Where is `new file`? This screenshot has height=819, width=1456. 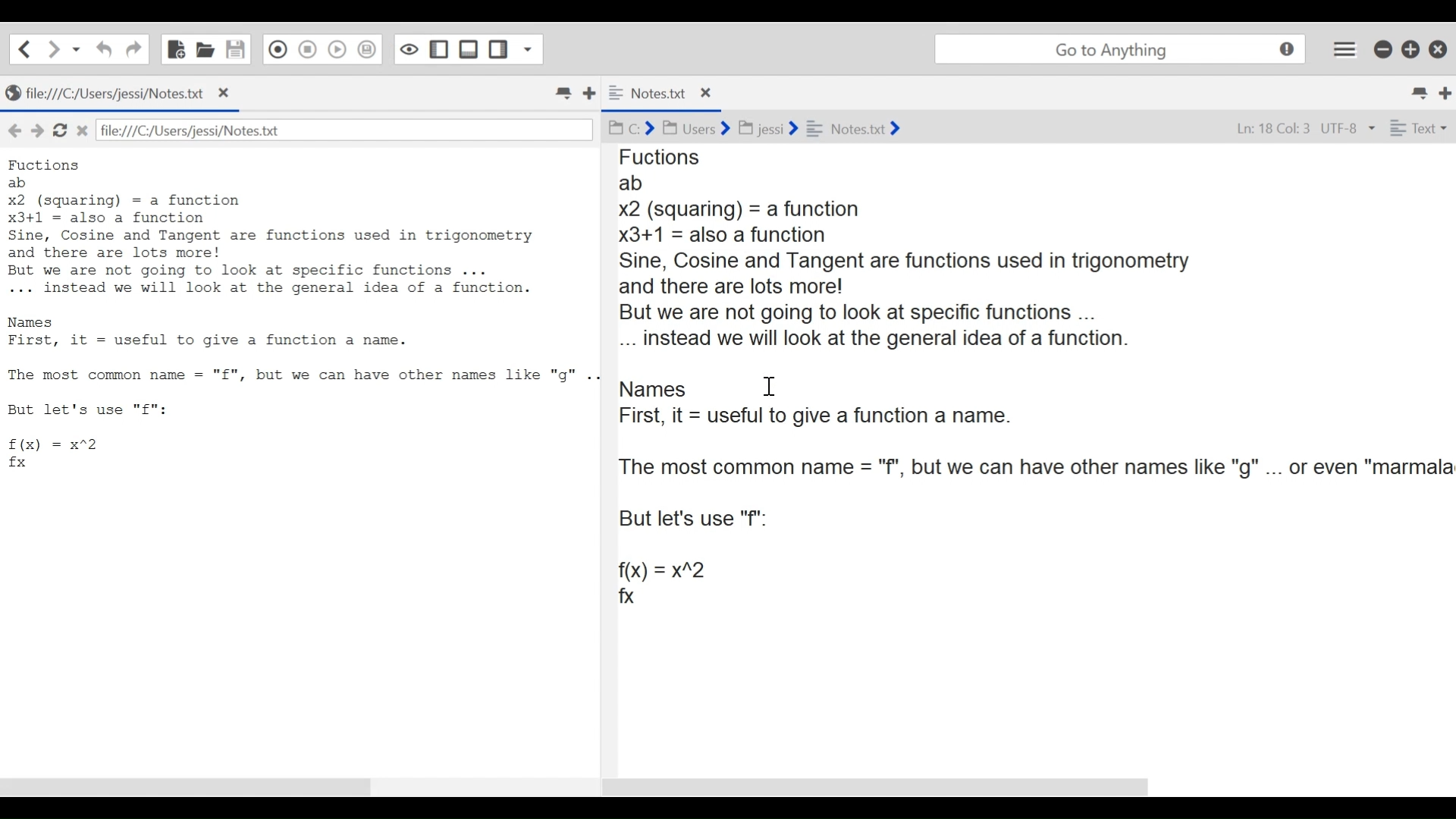
new file is located at coordinates (175, 49).